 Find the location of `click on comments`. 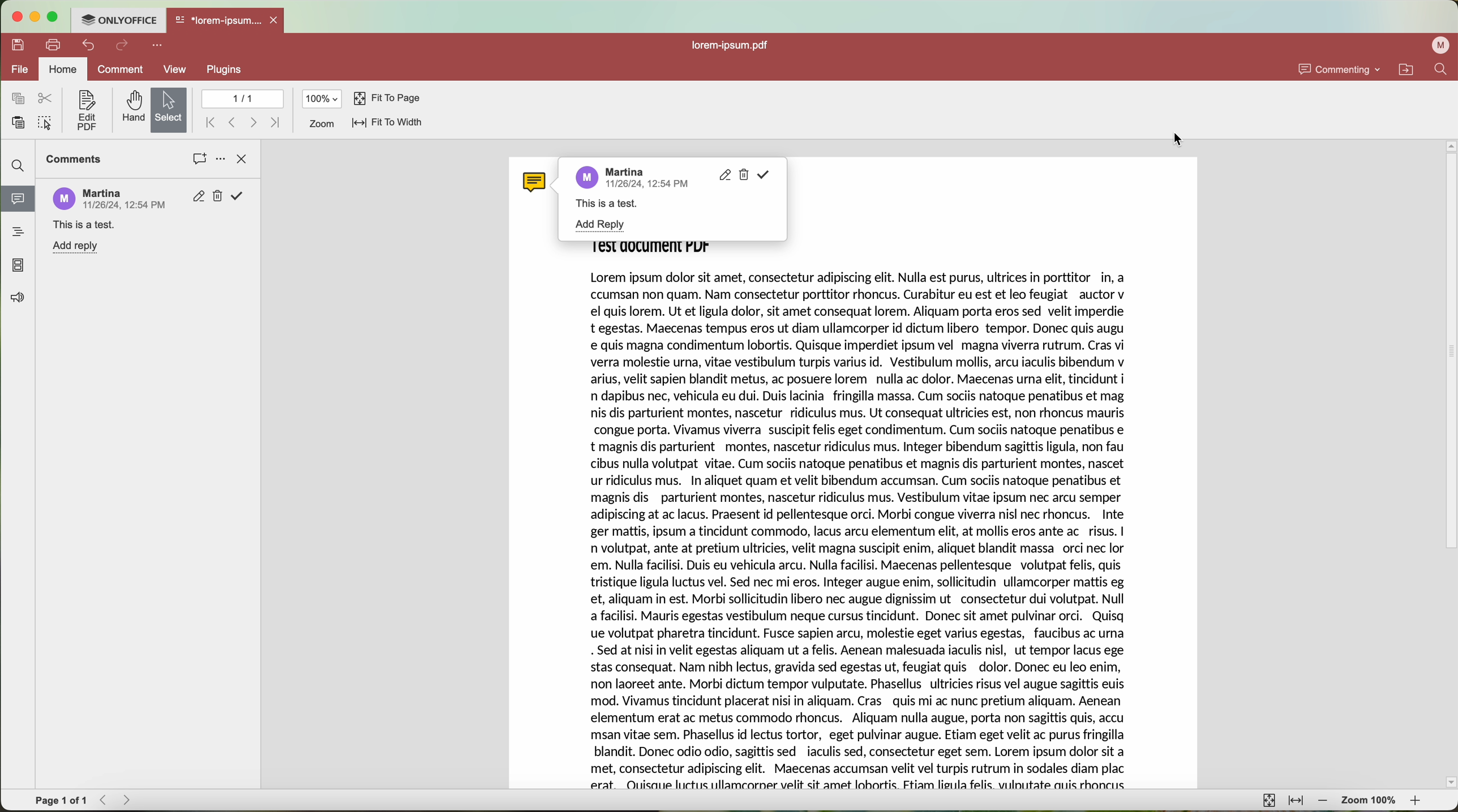

click on comments is located at coordinates (199, 160).